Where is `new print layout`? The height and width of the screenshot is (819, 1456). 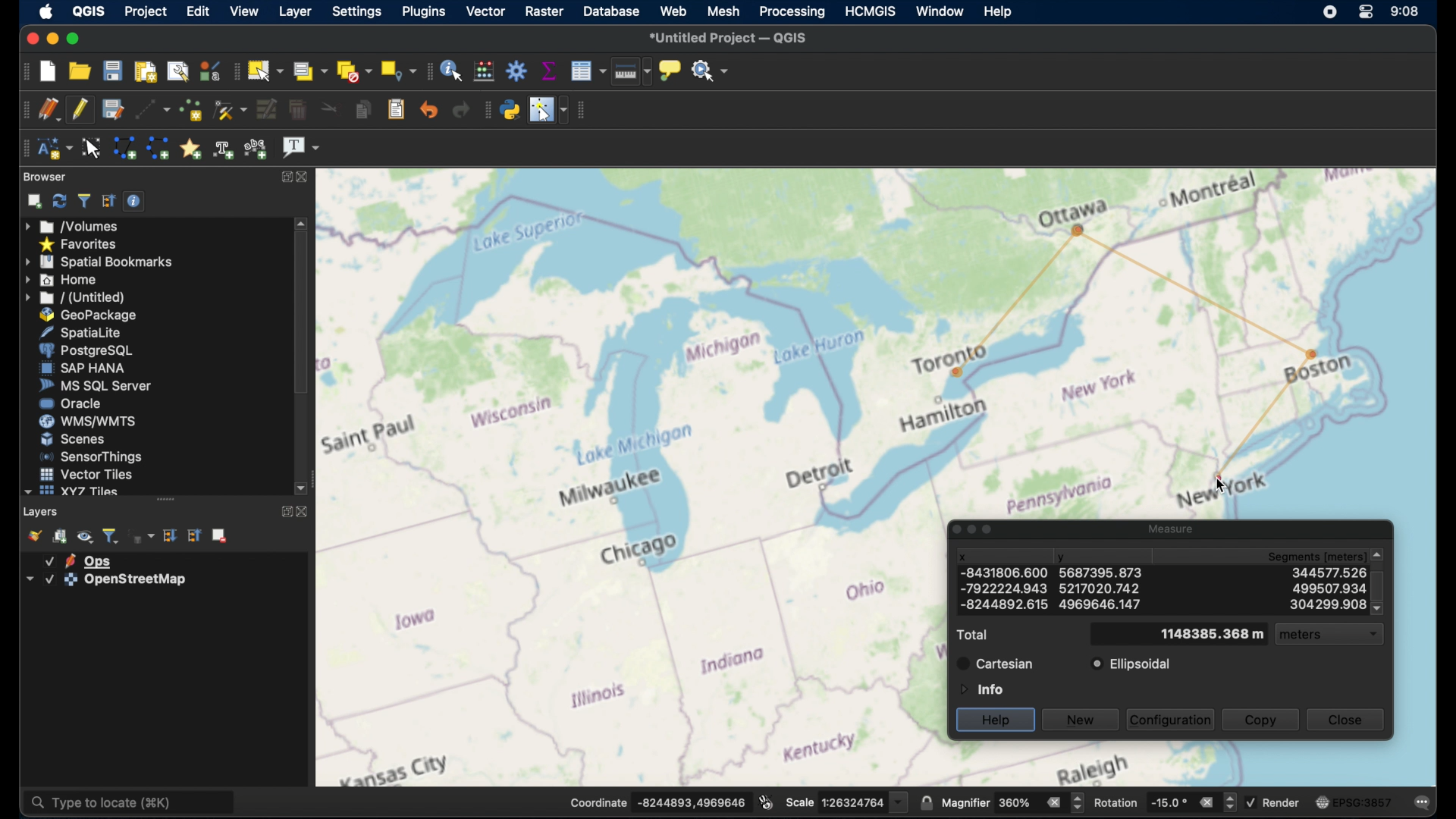 new print layout is located at coordinates (145, 69).